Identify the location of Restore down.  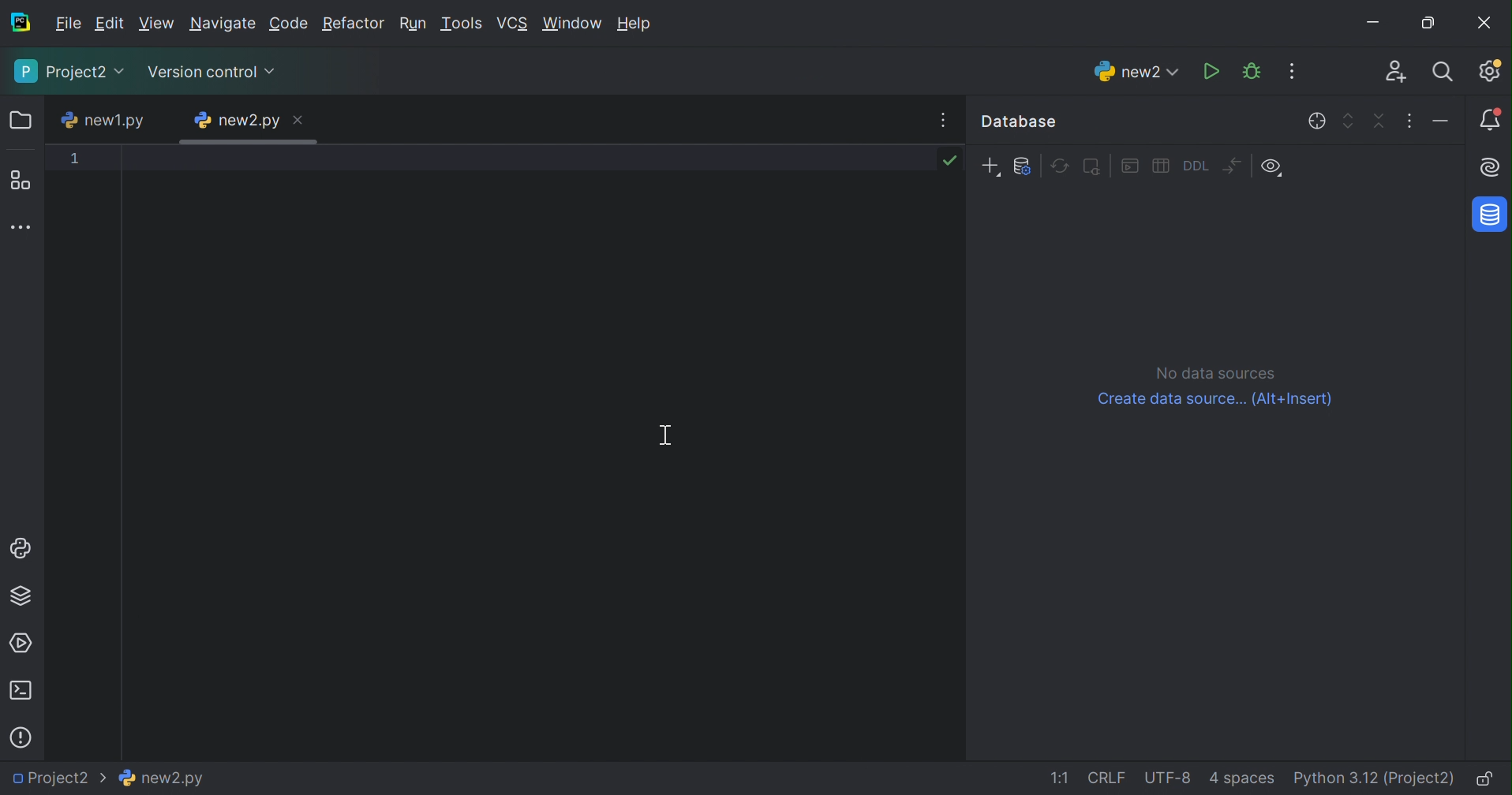
(1428, 24).